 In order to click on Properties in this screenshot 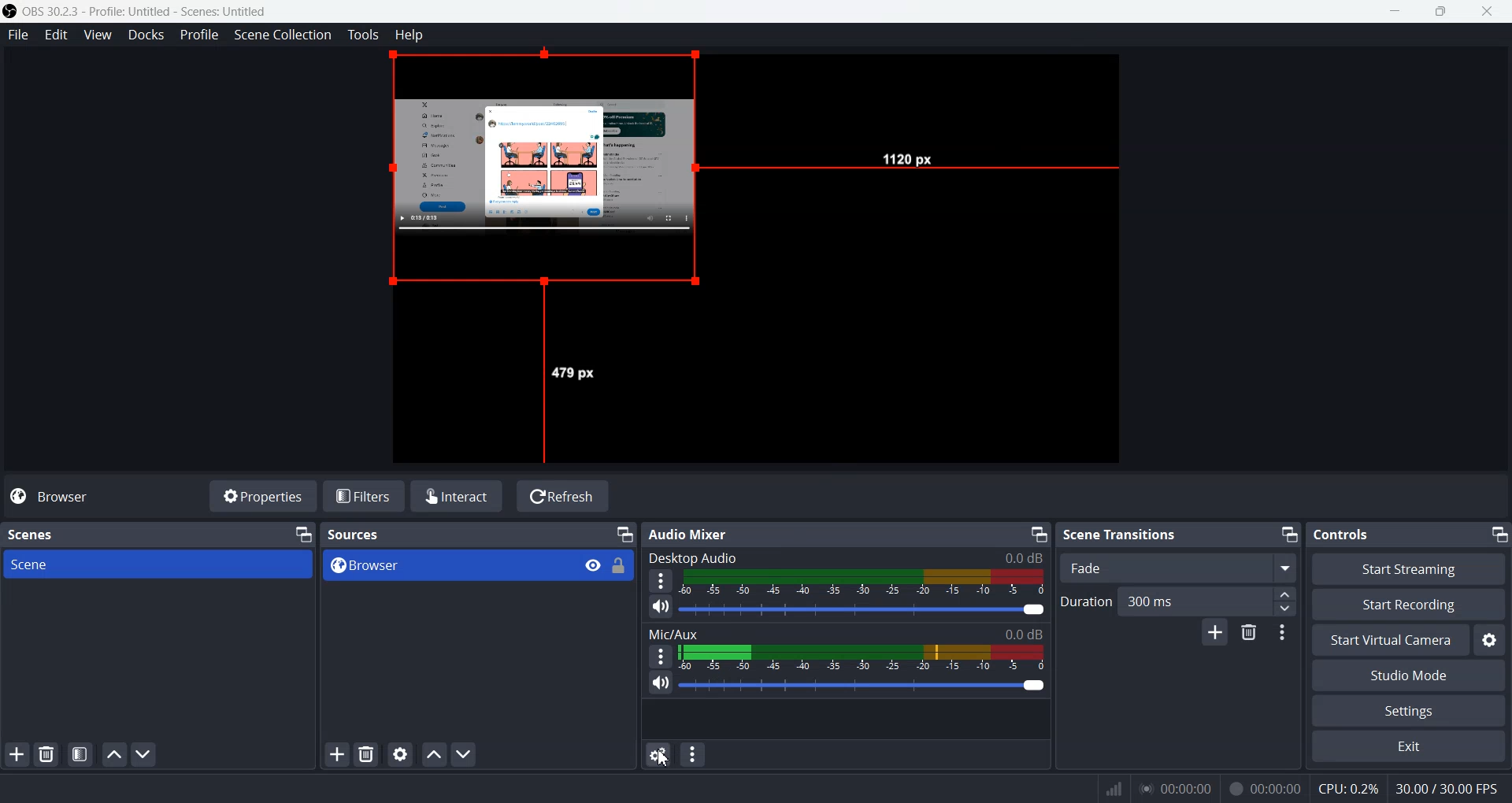, I will do `click(263, 495)`.